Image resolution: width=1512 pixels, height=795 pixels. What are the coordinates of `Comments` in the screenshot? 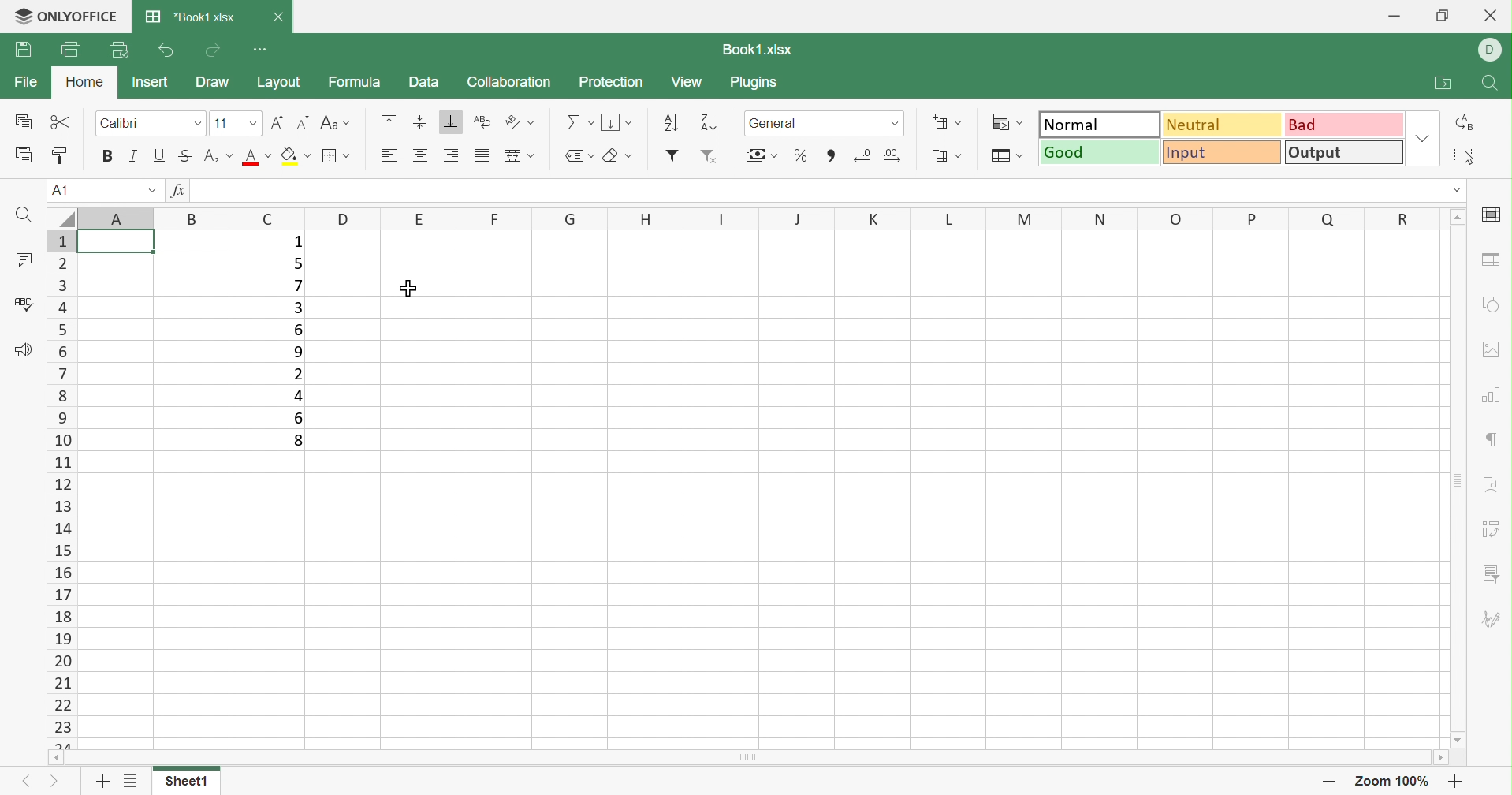 It's located at (23, 260).